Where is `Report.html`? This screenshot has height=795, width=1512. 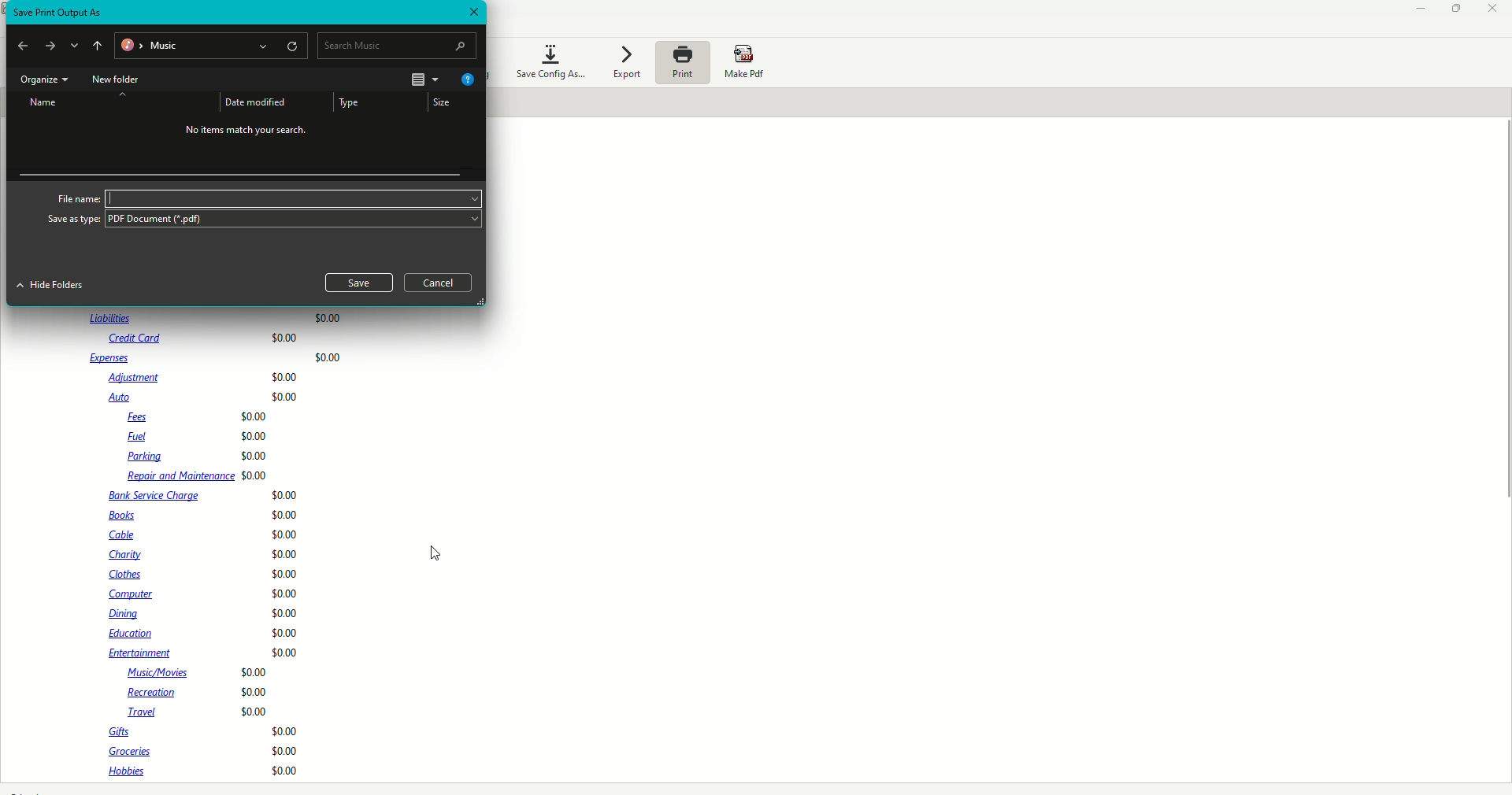
Report.html is located at coordinates (142, 214).